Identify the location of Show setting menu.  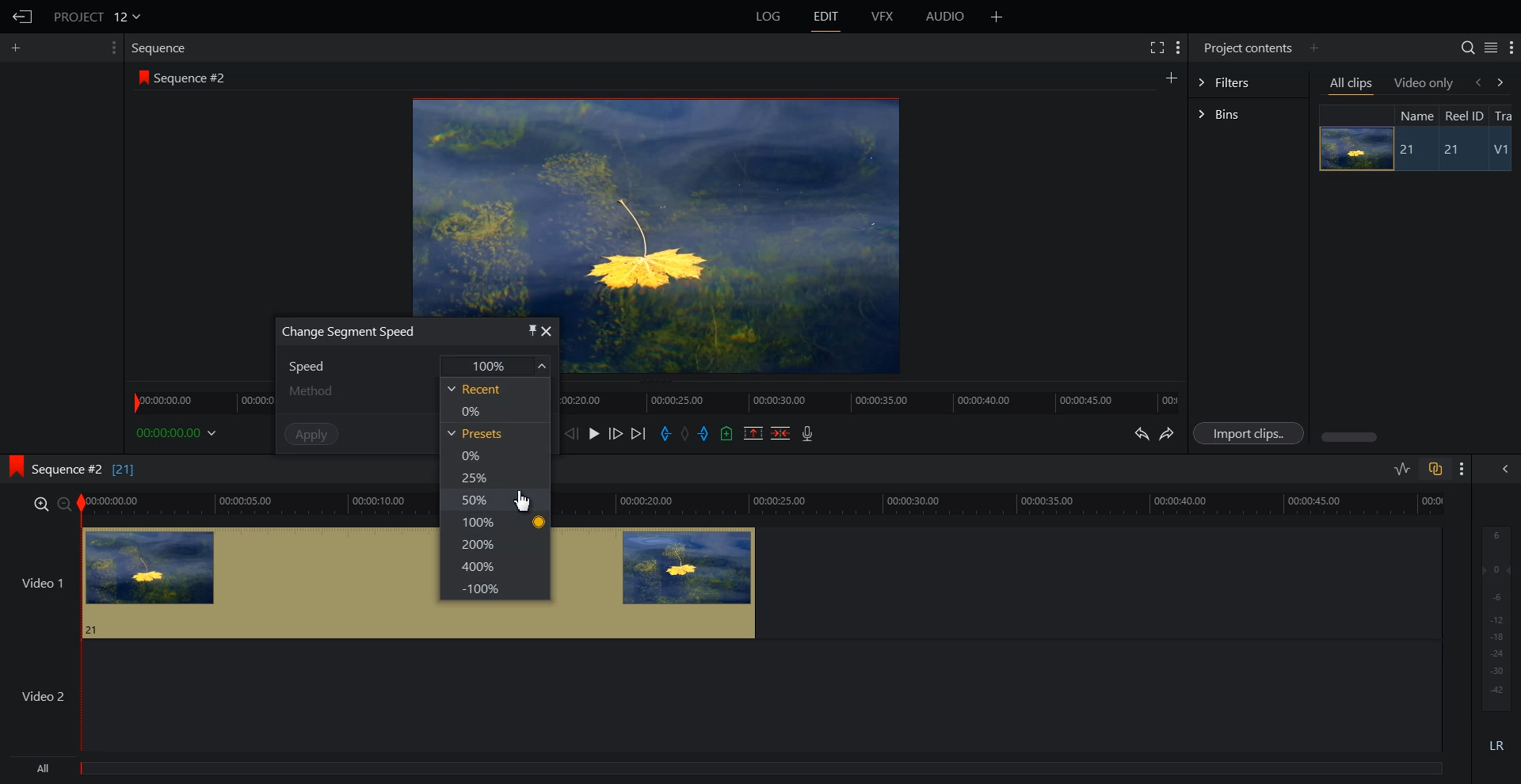
(1462, 469).